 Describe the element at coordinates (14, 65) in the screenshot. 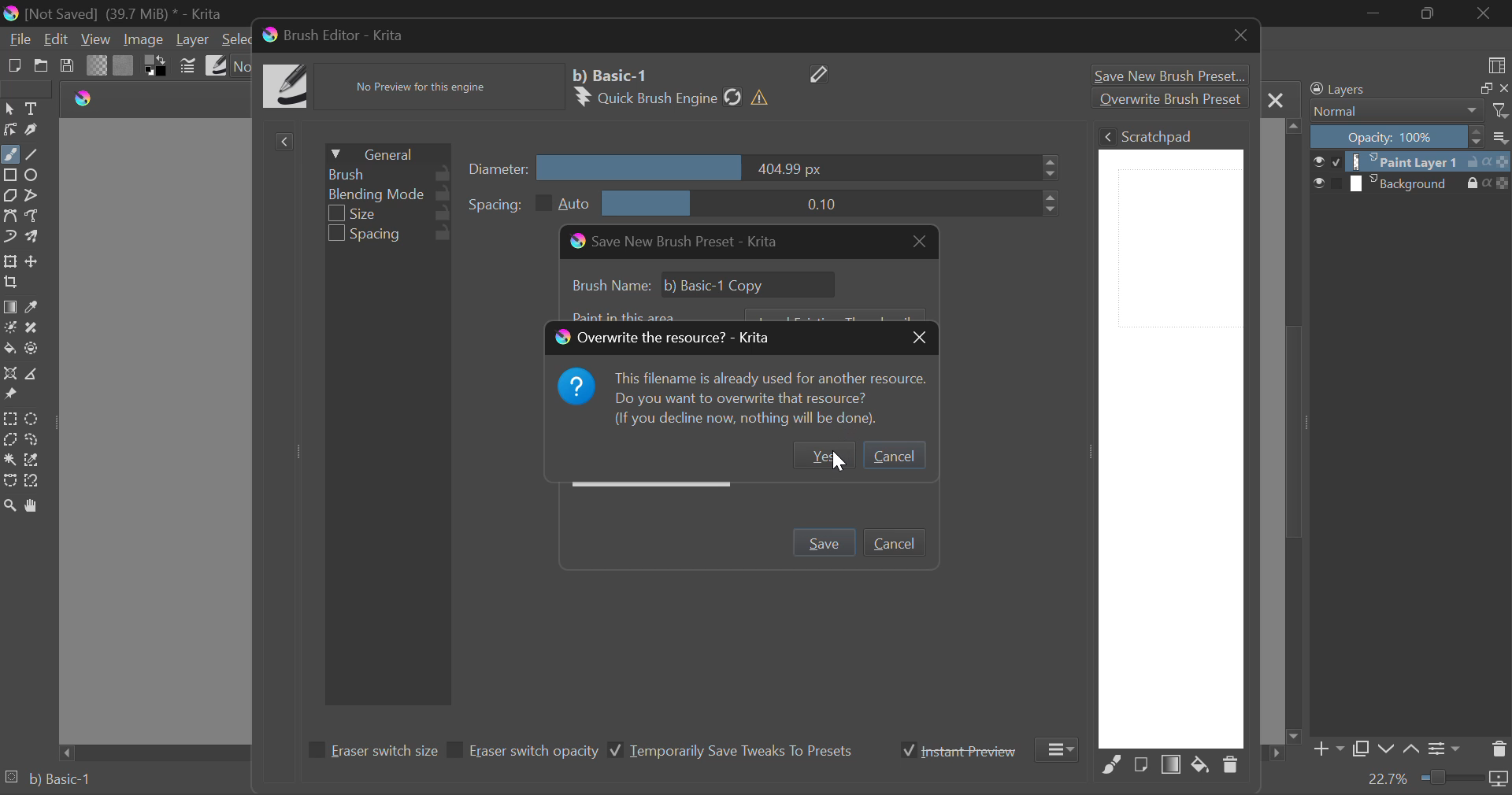

I see `New` at that location.